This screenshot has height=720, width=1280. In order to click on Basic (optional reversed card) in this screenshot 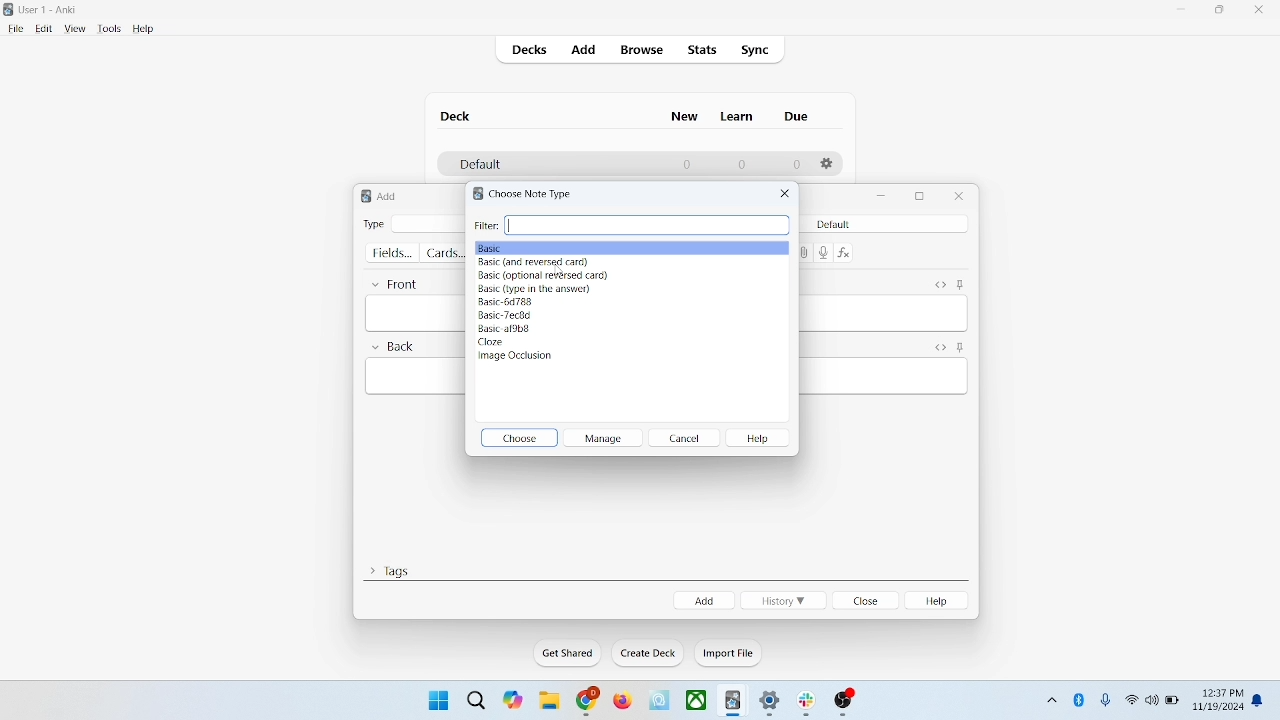, I will do `click(545, 275)`.